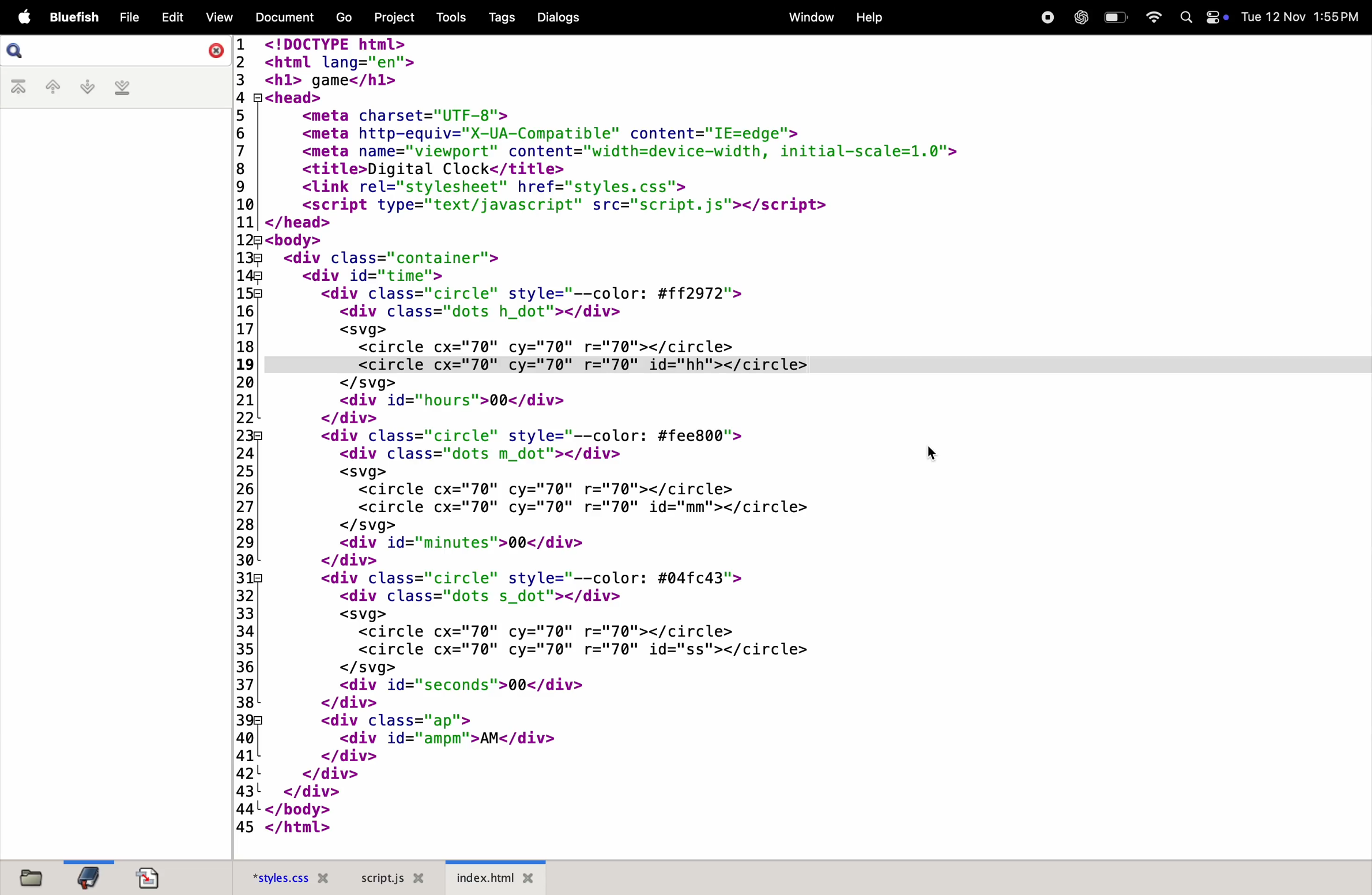 The height and width of the screenshot is (895, 1372). What do you see at coordinates (931, 451) in the screenshot?
I see `Cursor` at bounding box center [931, 451].